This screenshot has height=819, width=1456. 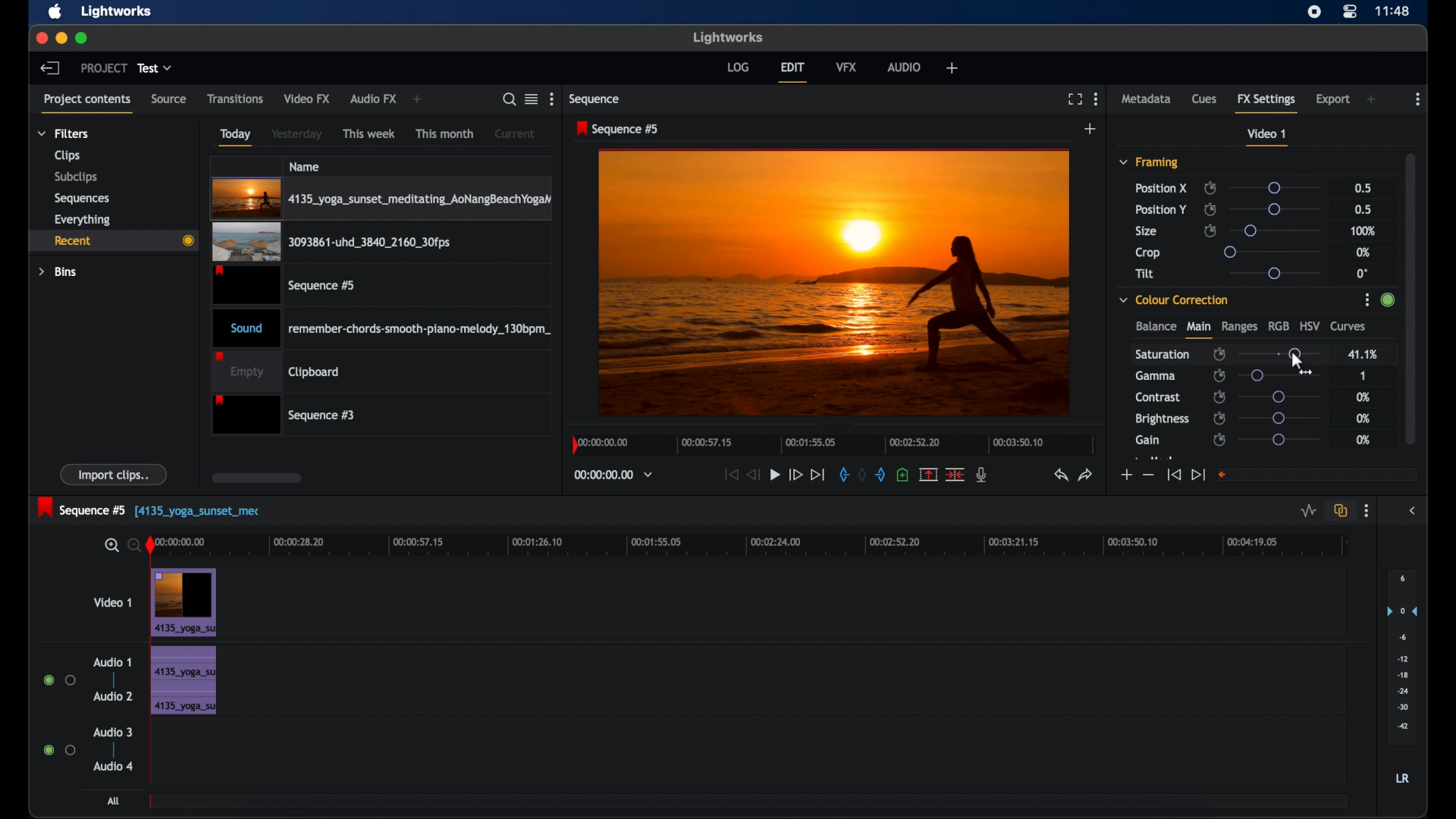 What do you see at coordinates (83, 219) in the screenshot?
I see `everything` at bounding box center [83, 219].